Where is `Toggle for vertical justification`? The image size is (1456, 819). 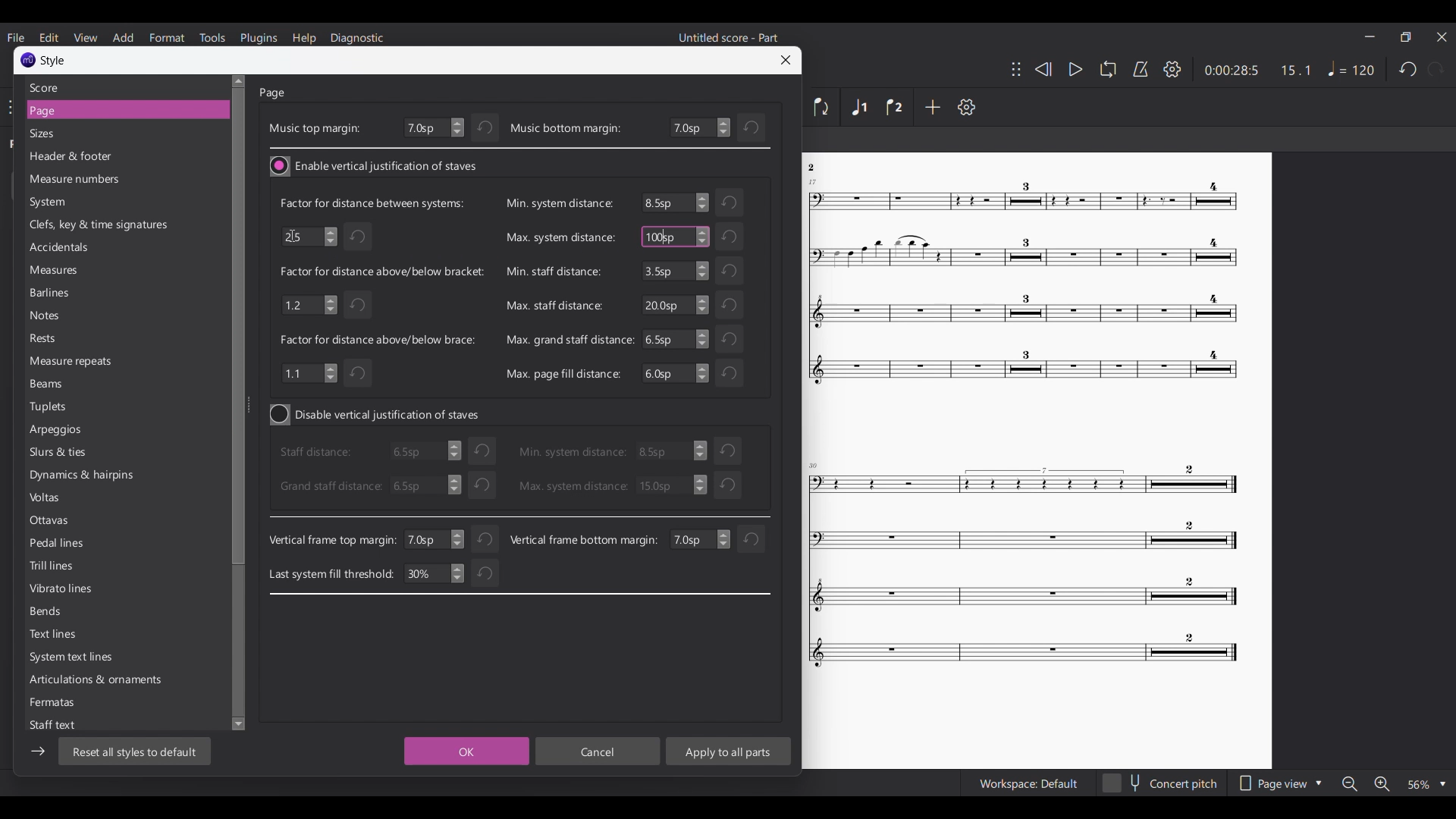
Toggle for vertical justification is located at coordinates (375, 166).